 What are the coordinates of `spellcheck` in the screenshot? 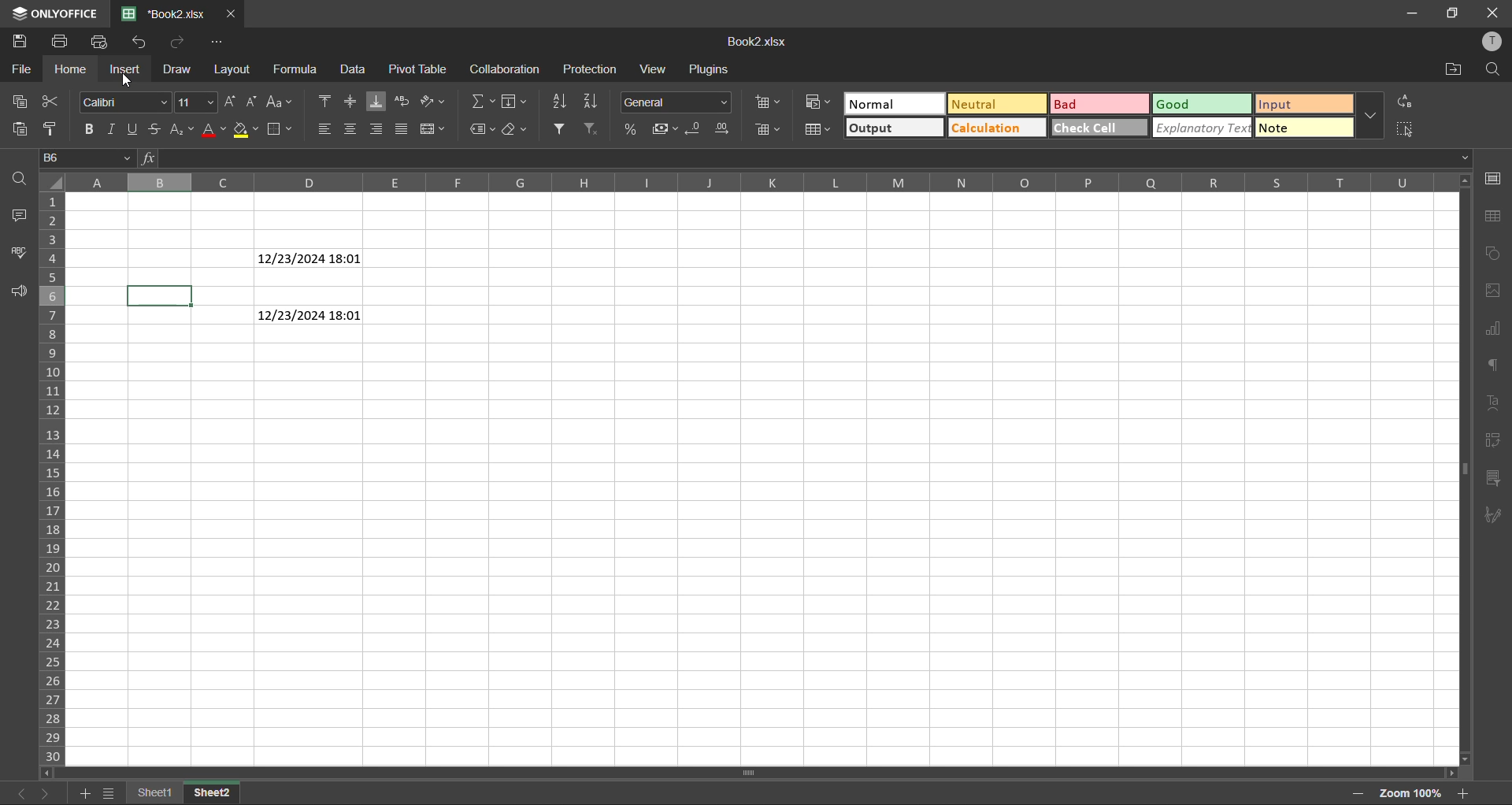 It's located at (21, 254).